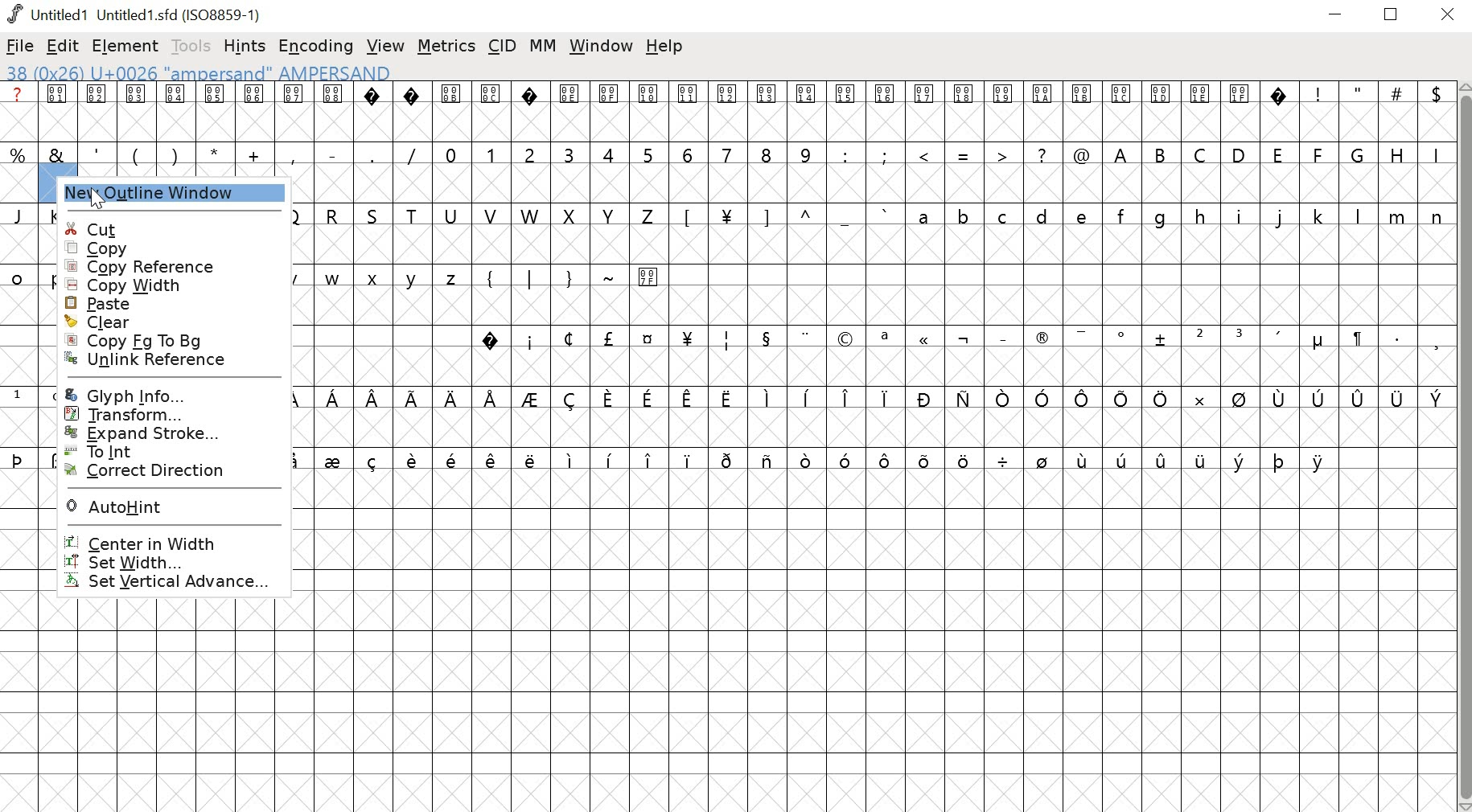 Image resolution: width=1472 pixels, height=812 pixels. I want to click on [, so click(687, 215).